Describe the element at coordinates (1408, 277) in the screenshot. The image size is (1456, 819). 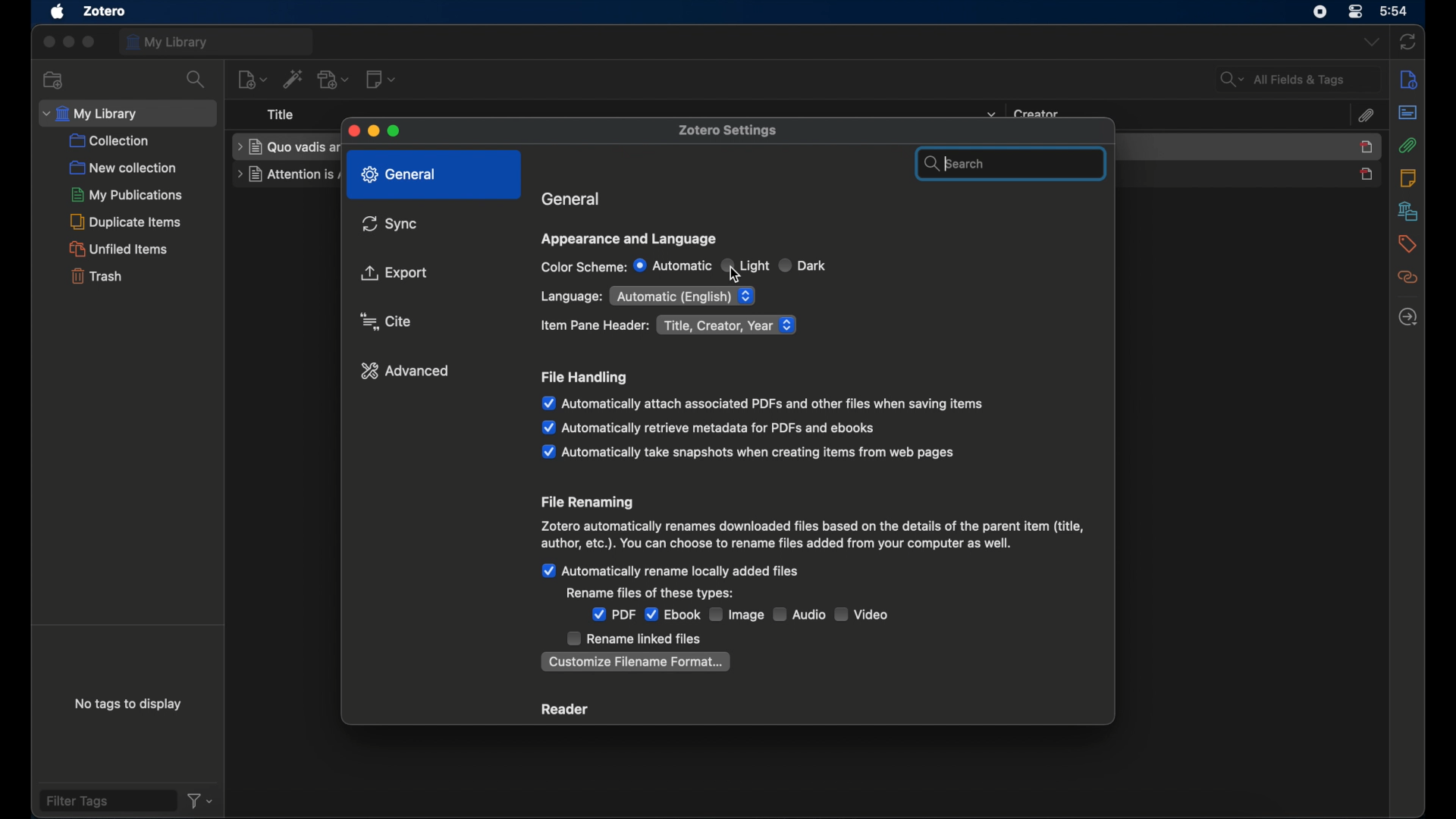
I see `related` at that location.